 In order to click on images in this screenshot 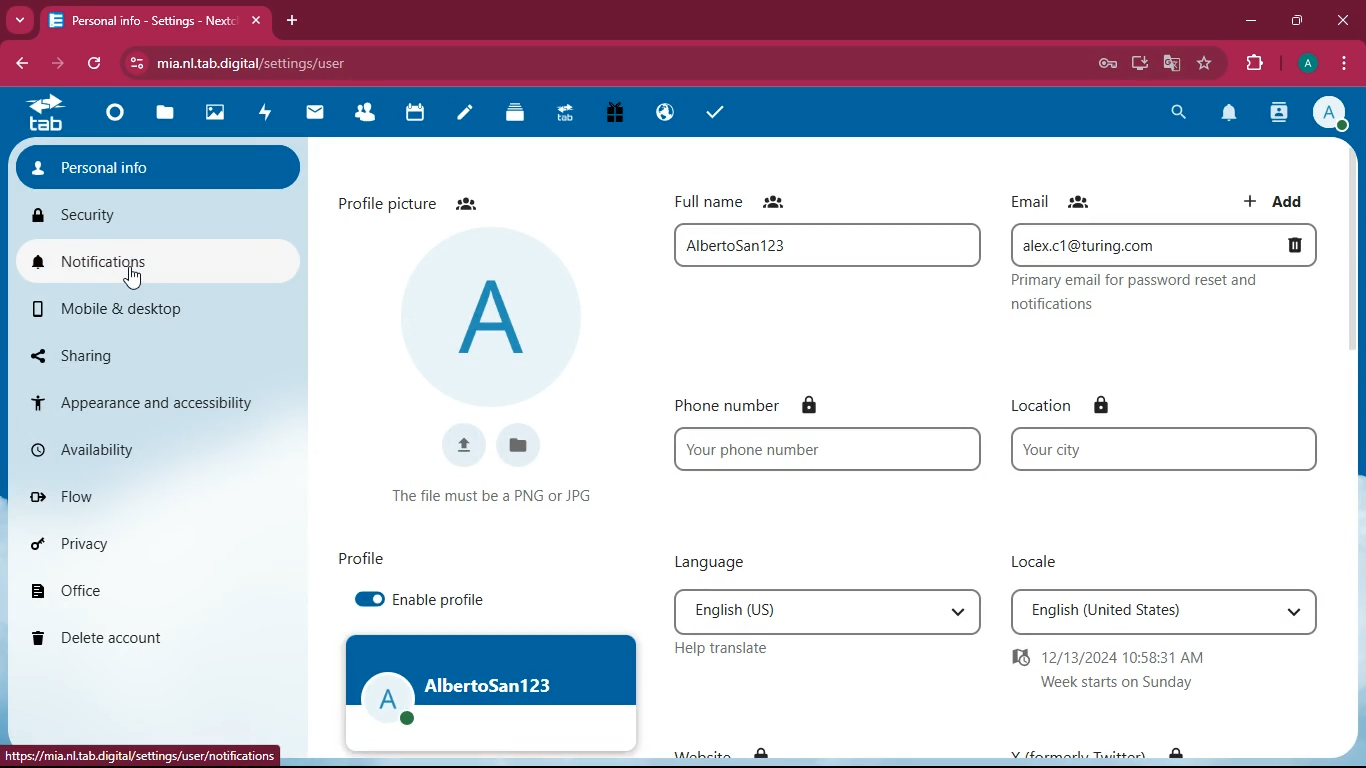, I will do `click(213, 114)`.